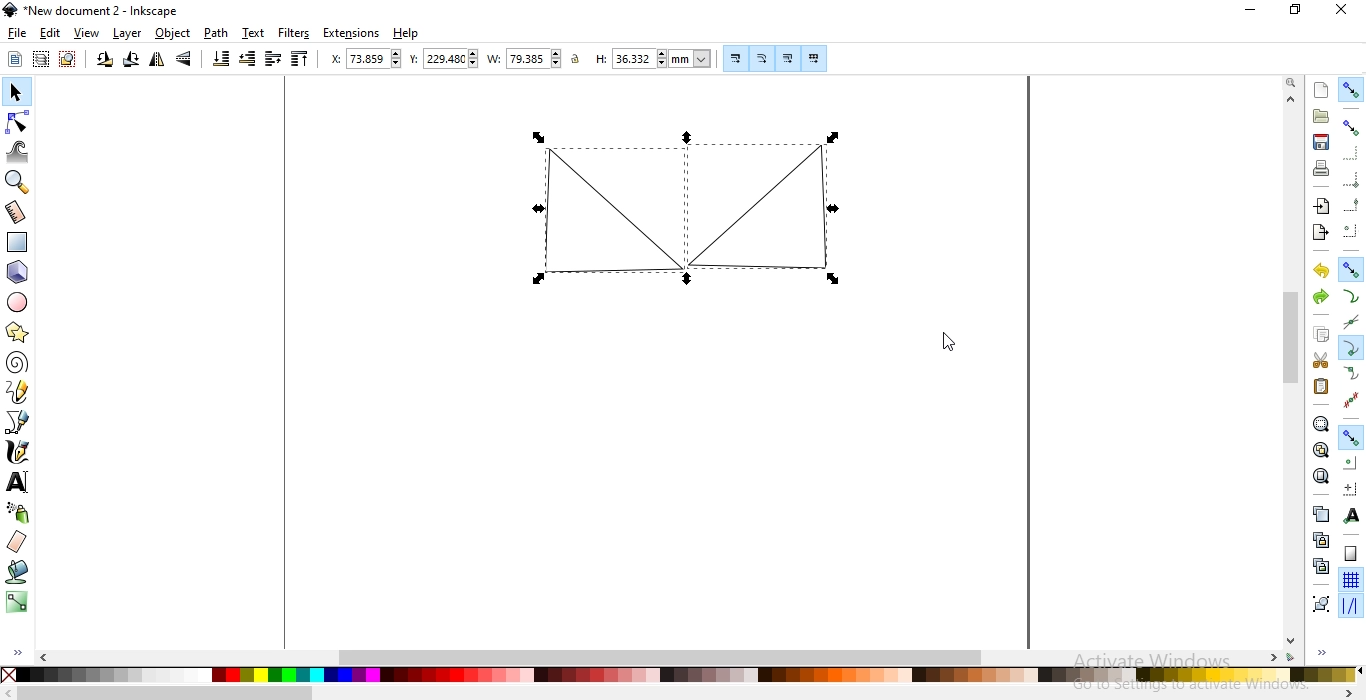 The image size is (1366, 700). Describe the element at coordinates (524, 58) in the screenshot. I see `width of selection` at that location.